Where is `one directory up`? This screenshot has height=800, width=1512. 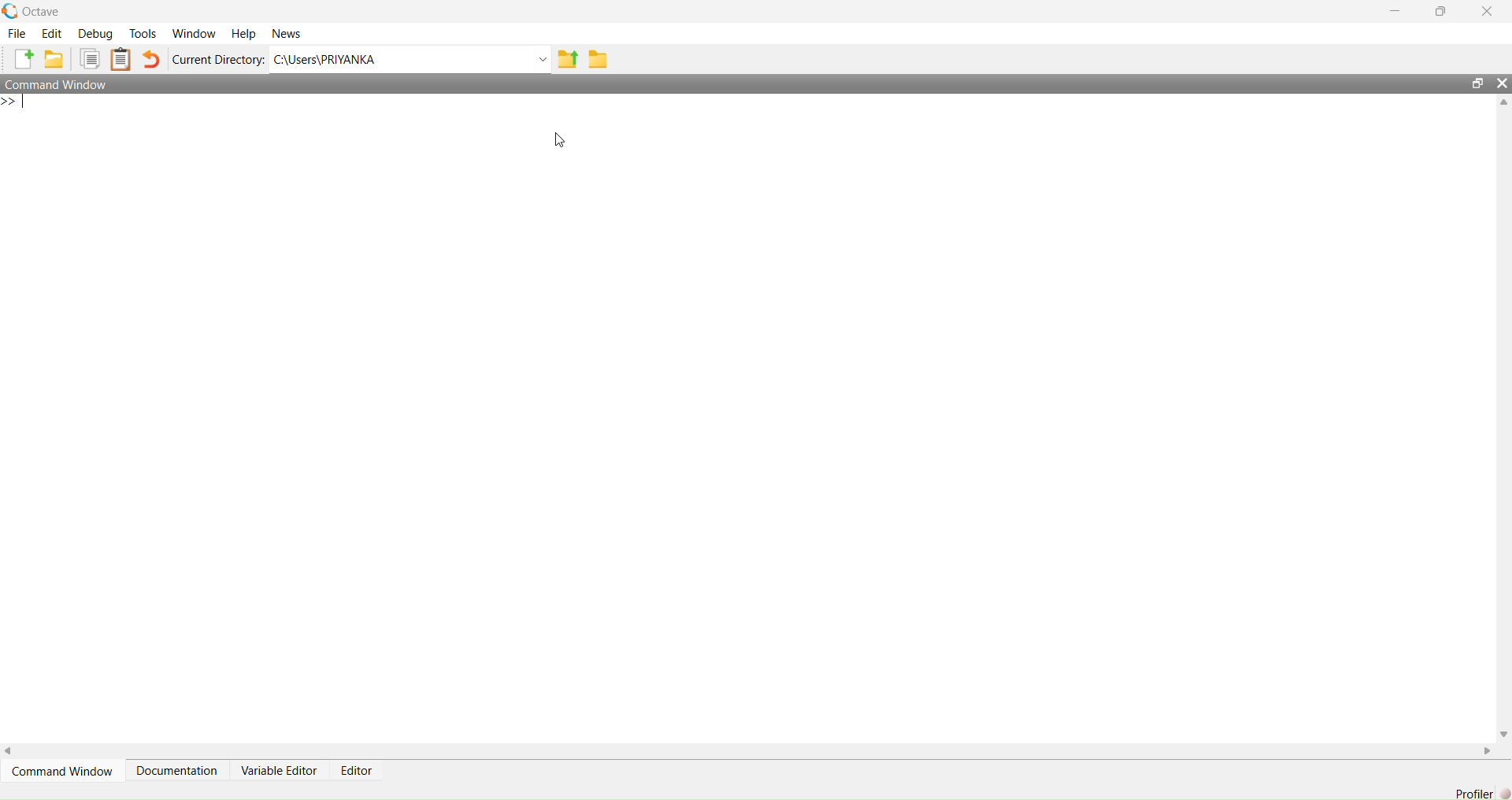
one directory up is located at coordinates (568, 58).